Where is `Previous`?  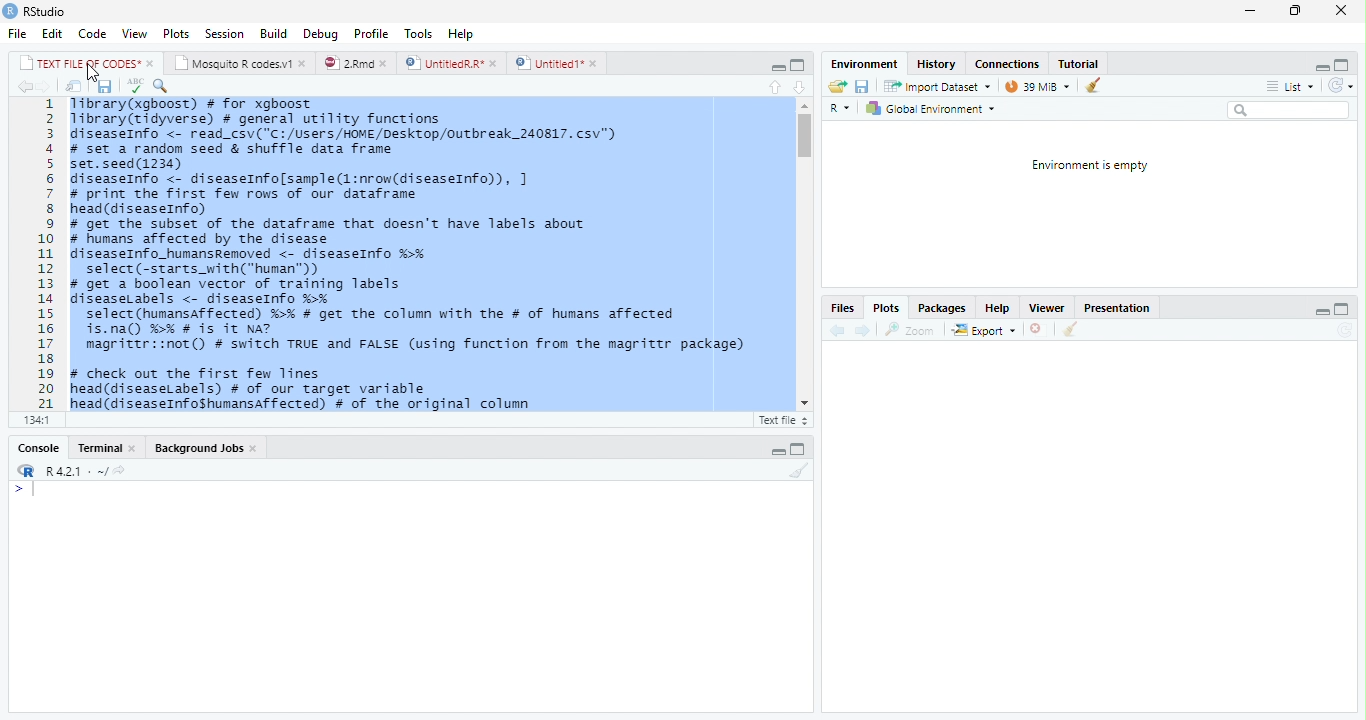
Previous is located at coordinates (835, 329).